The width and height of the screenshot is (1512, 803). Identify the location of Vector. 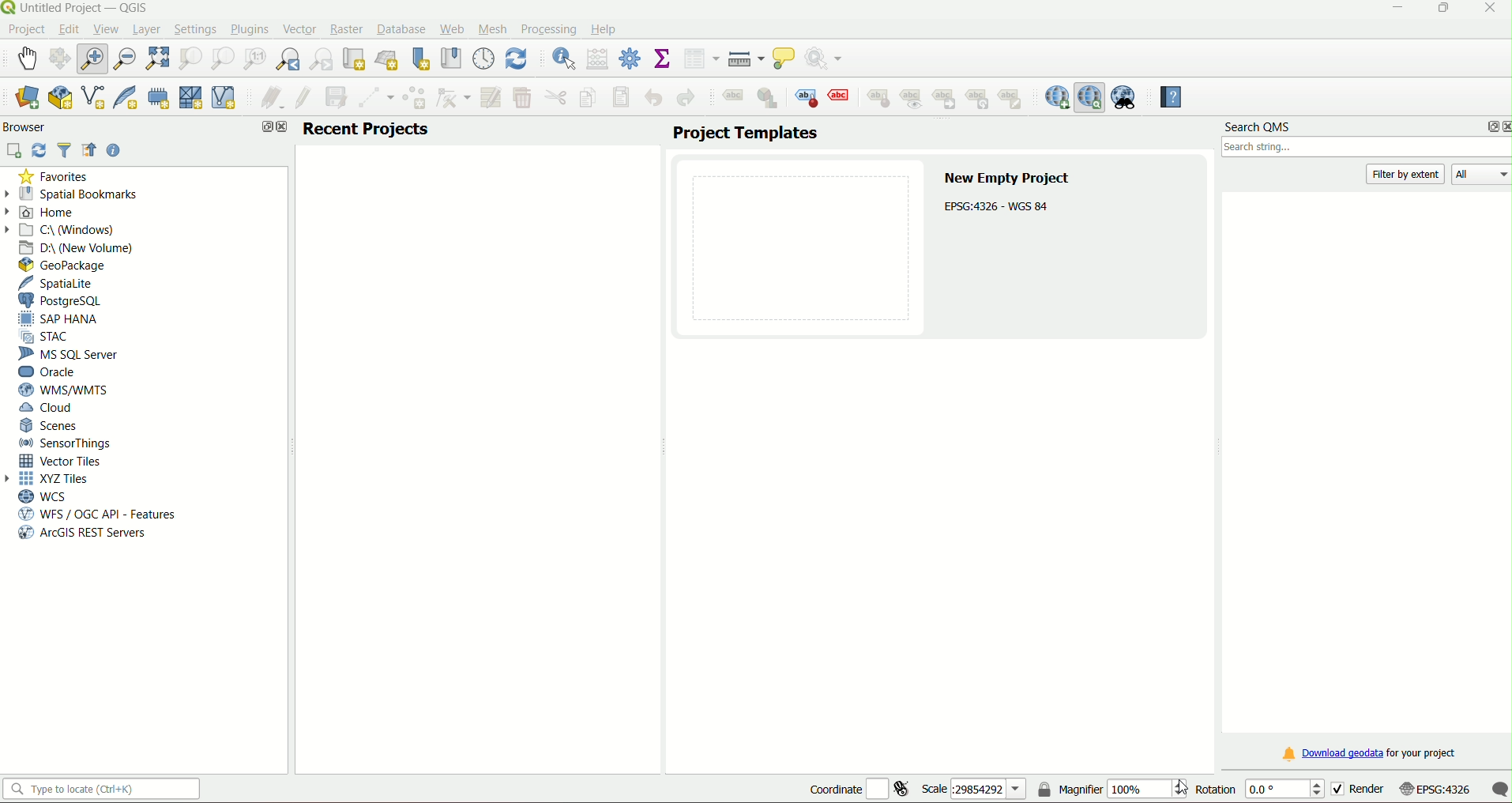
(297, 28).